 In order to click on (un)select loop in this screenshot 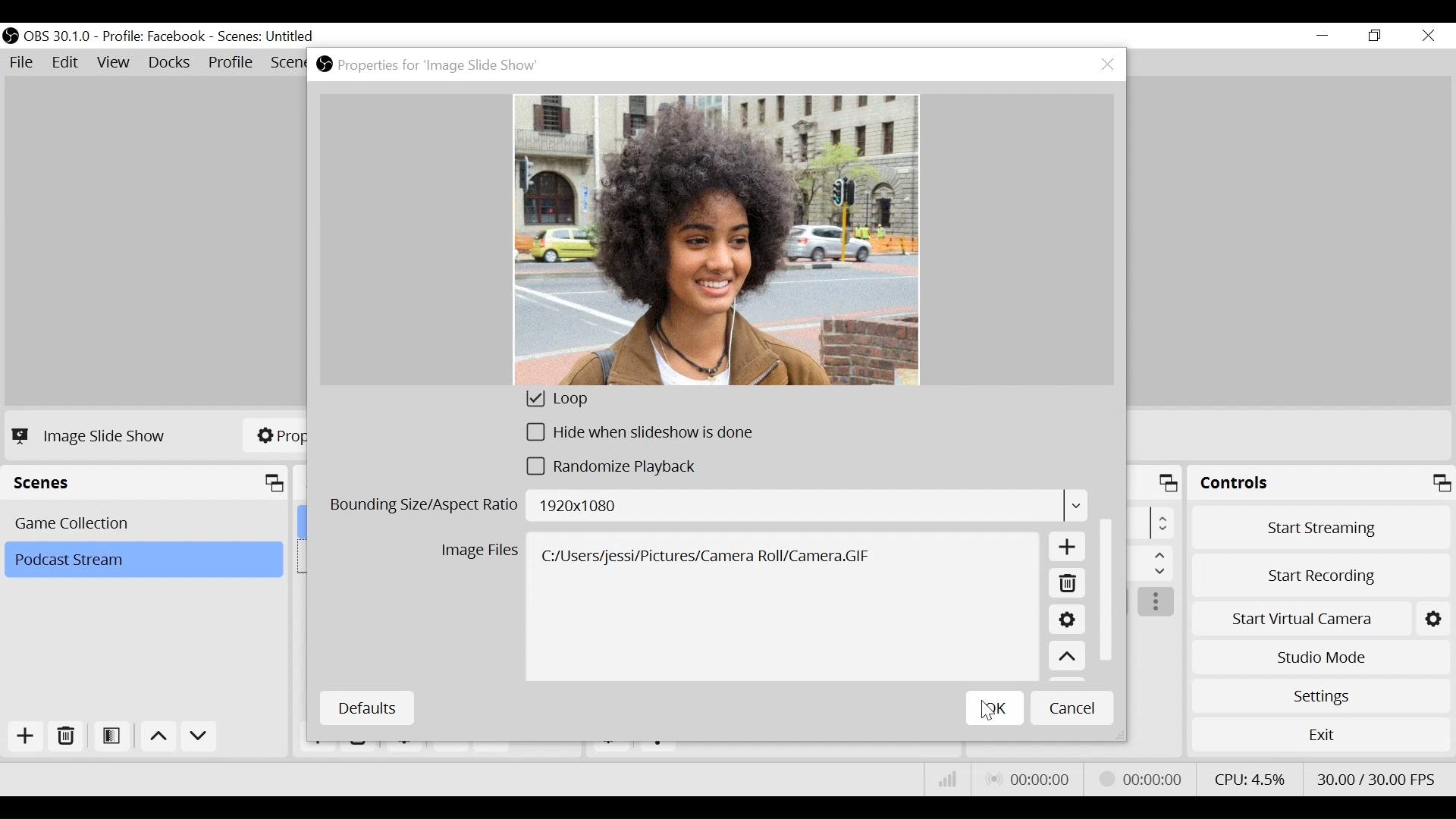, I will do `click(577, 401)`.